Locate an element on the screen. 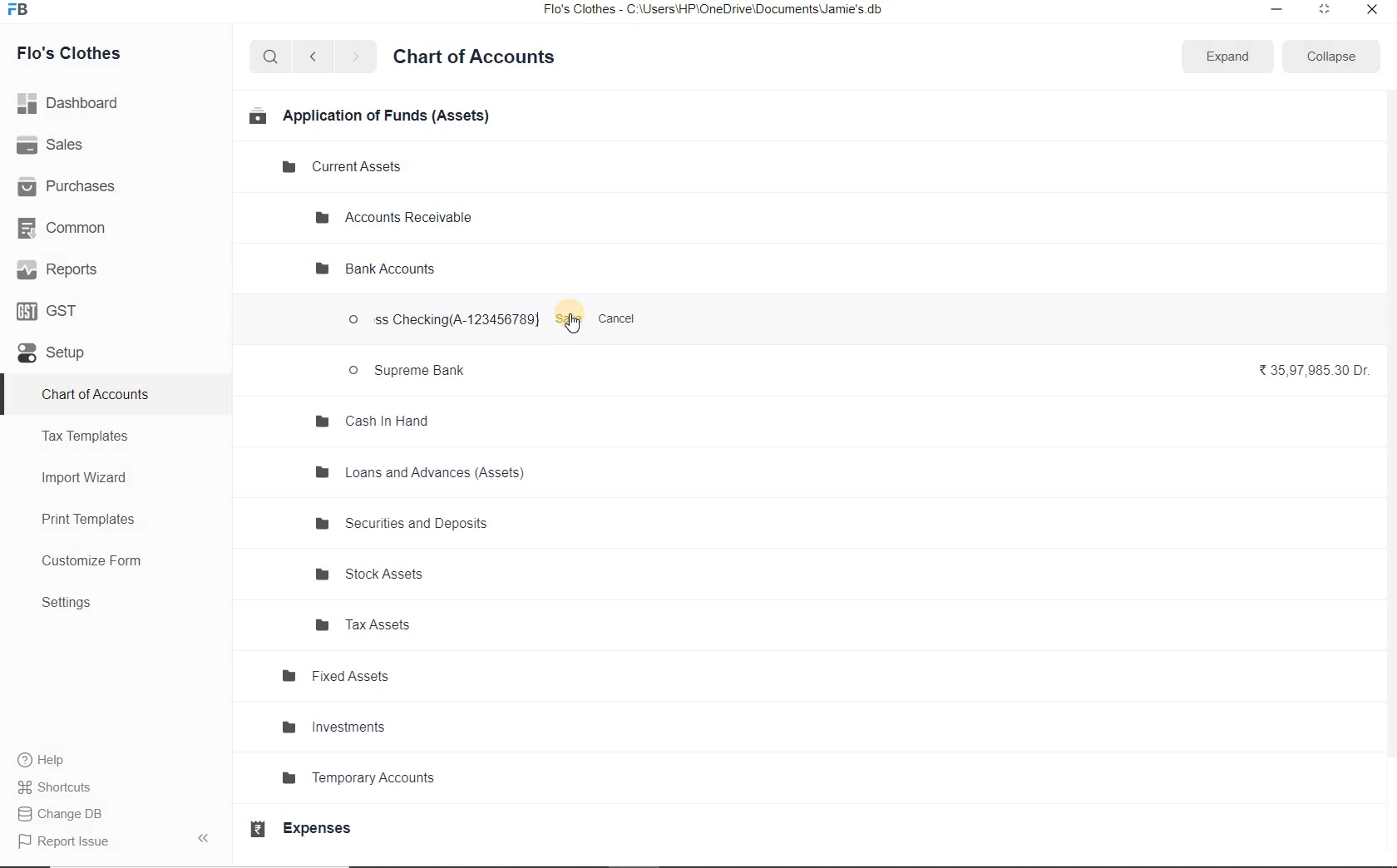 This screenshot has width=1397, height=868. Current Assets is located at coordinates (351, 165).